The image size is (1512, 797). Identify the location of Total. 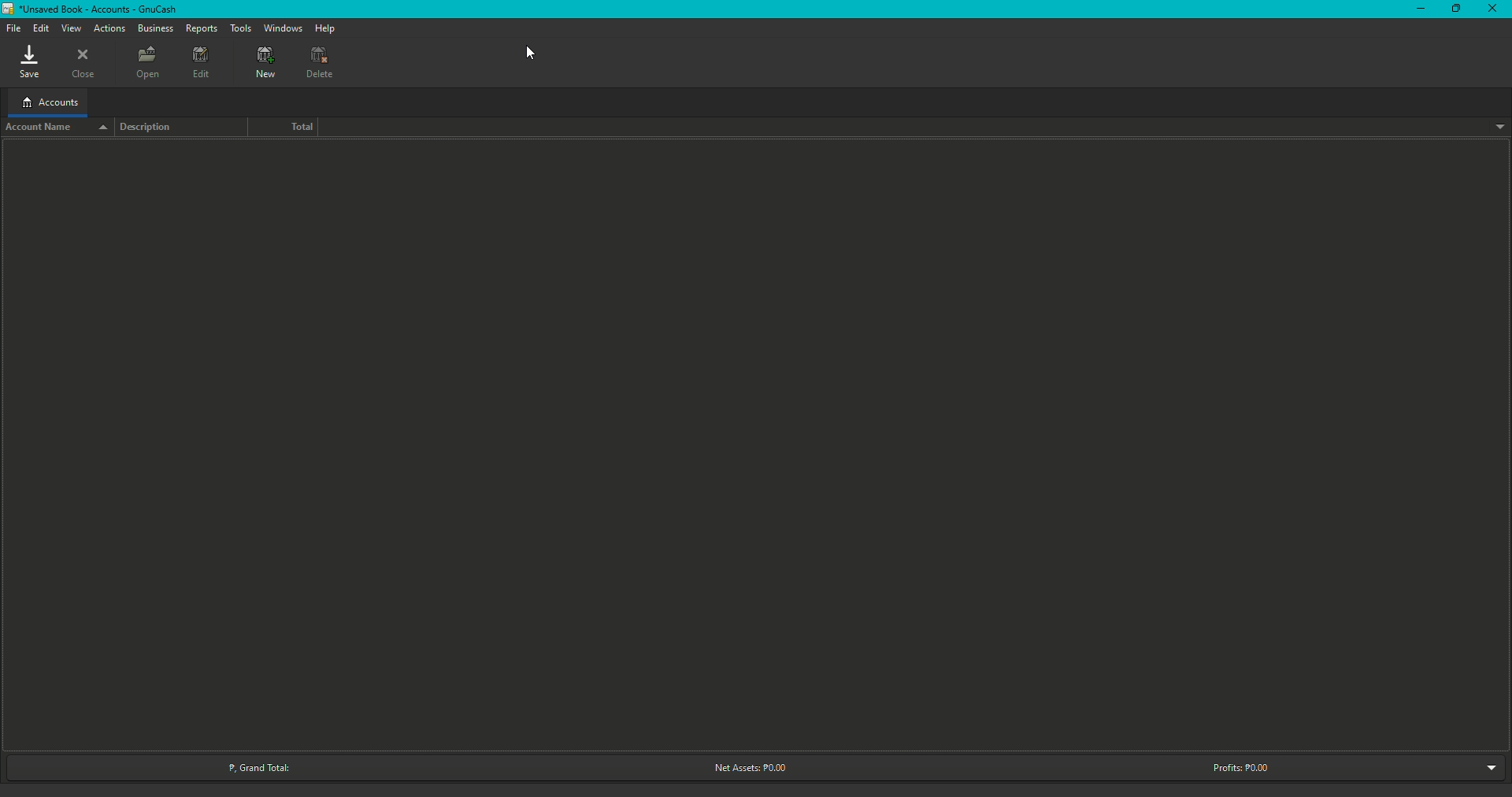
(292, 128).